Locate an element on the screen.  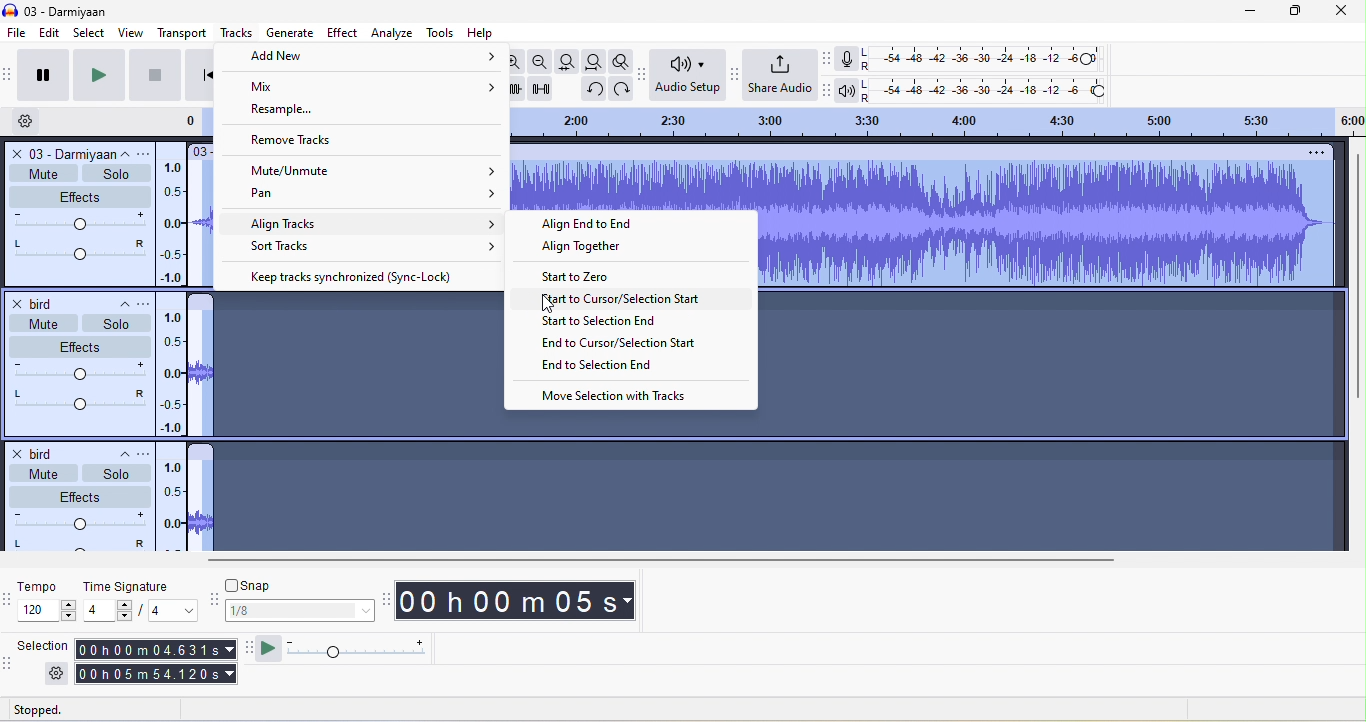
select is located at coordinates (86, 33).